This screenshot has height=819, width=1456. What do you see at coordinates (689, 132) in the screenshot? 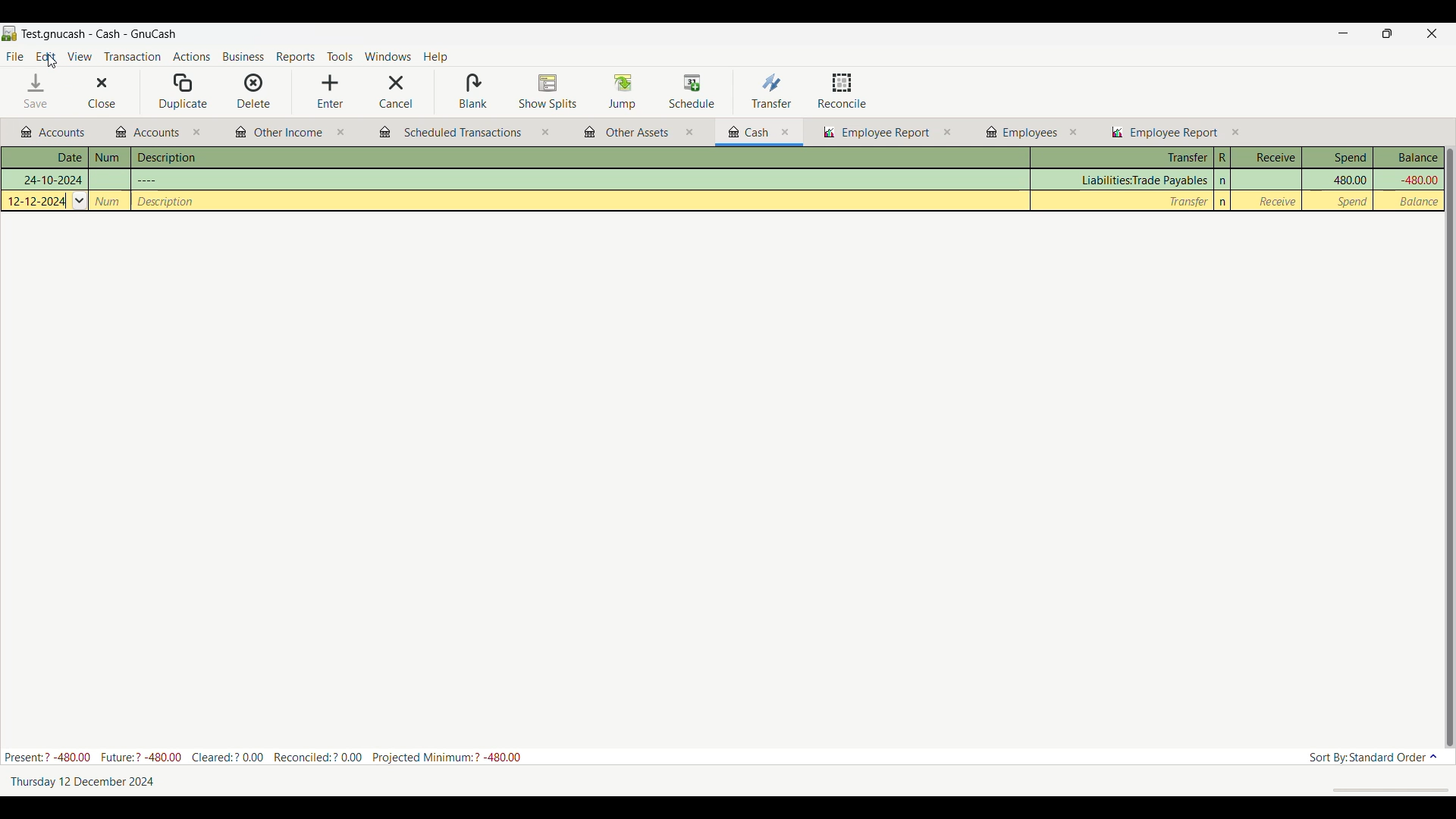
I see `close` at bounding box center [689, 132].